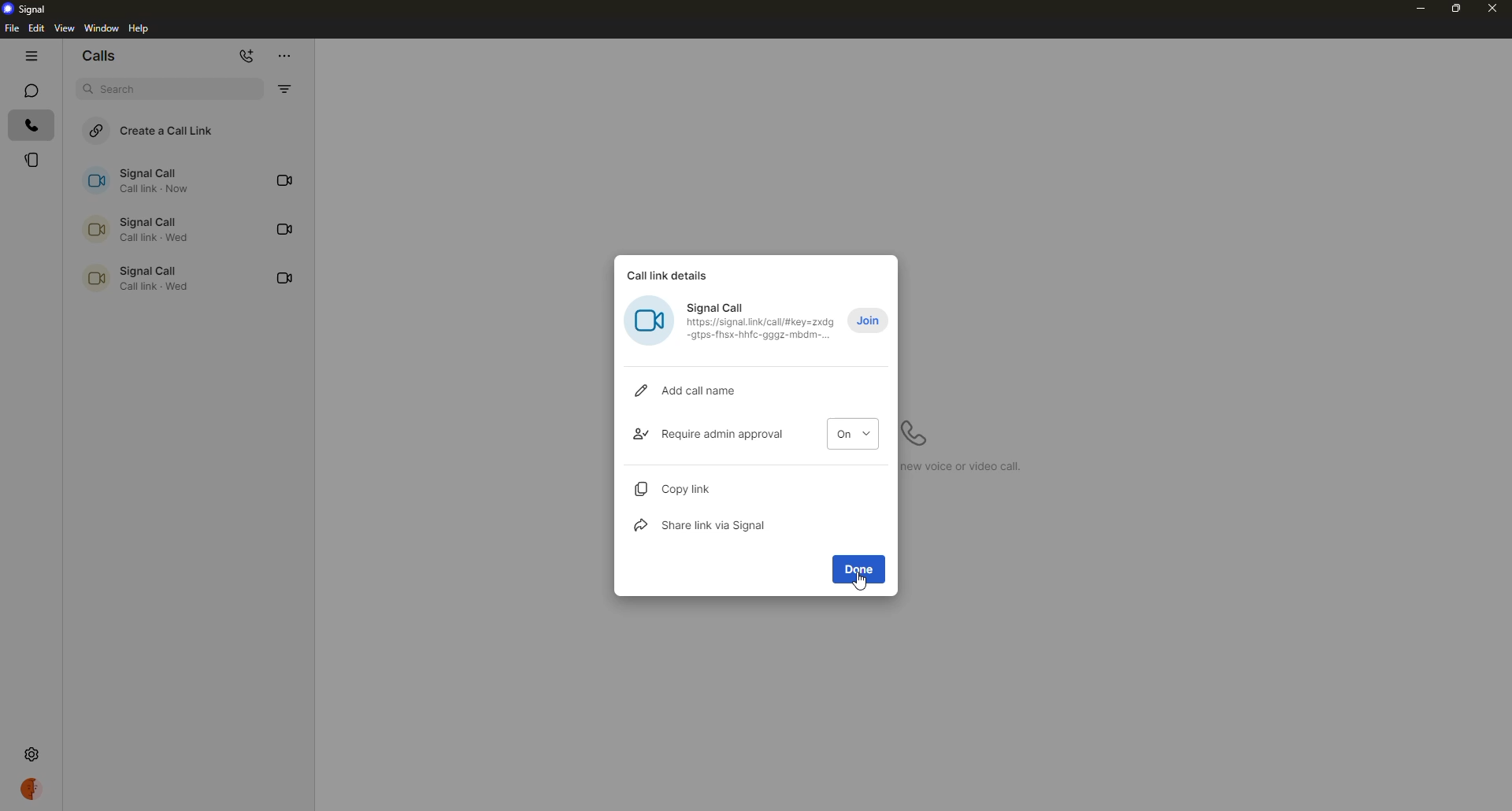  What do you see at coordinates (966, 466) in the screenshot?
I see `Click to start a new voice call` at bounding box center [966, 466].